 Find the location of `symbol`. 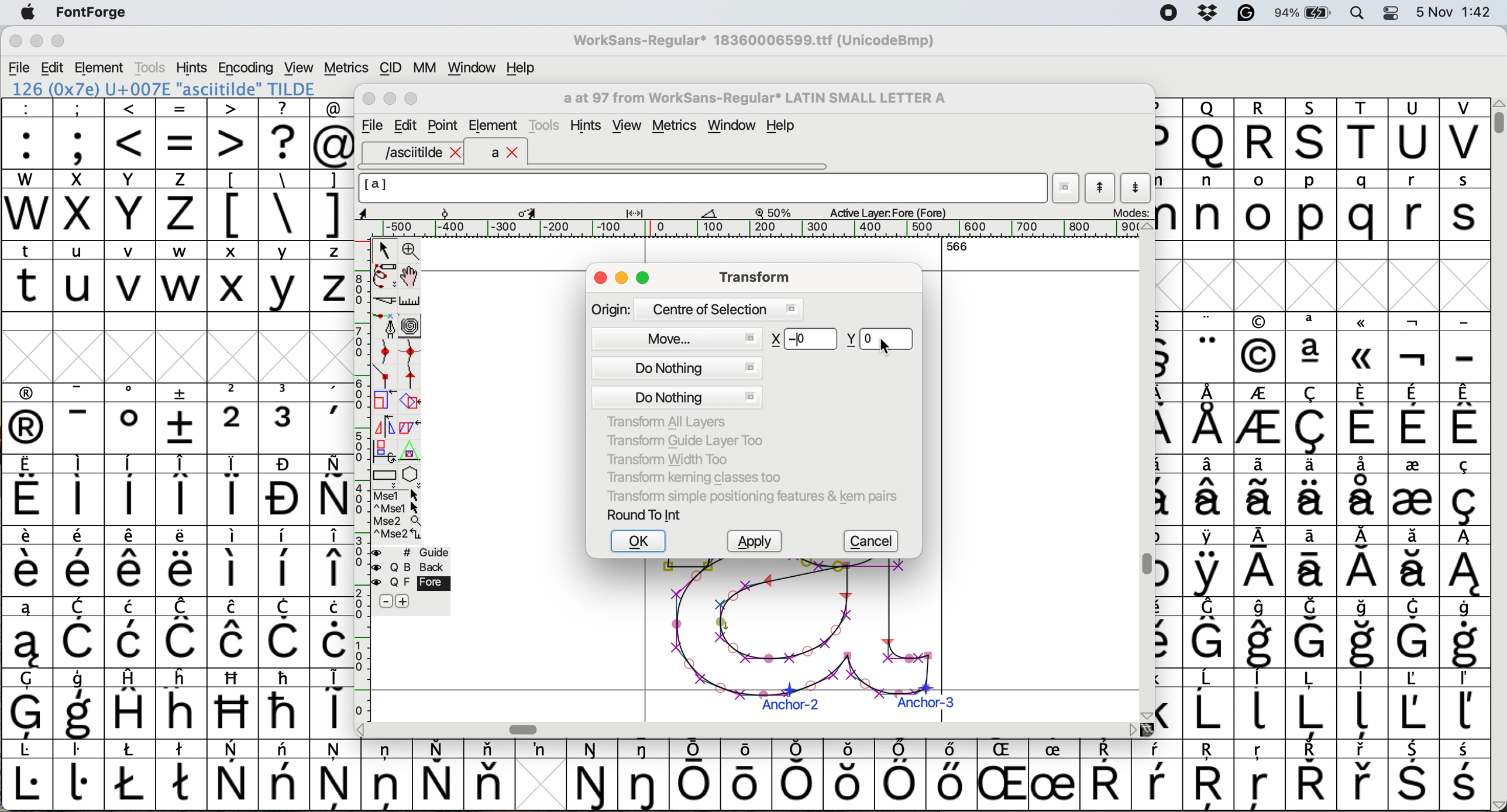

symbol is located at coordinates (130, 775).